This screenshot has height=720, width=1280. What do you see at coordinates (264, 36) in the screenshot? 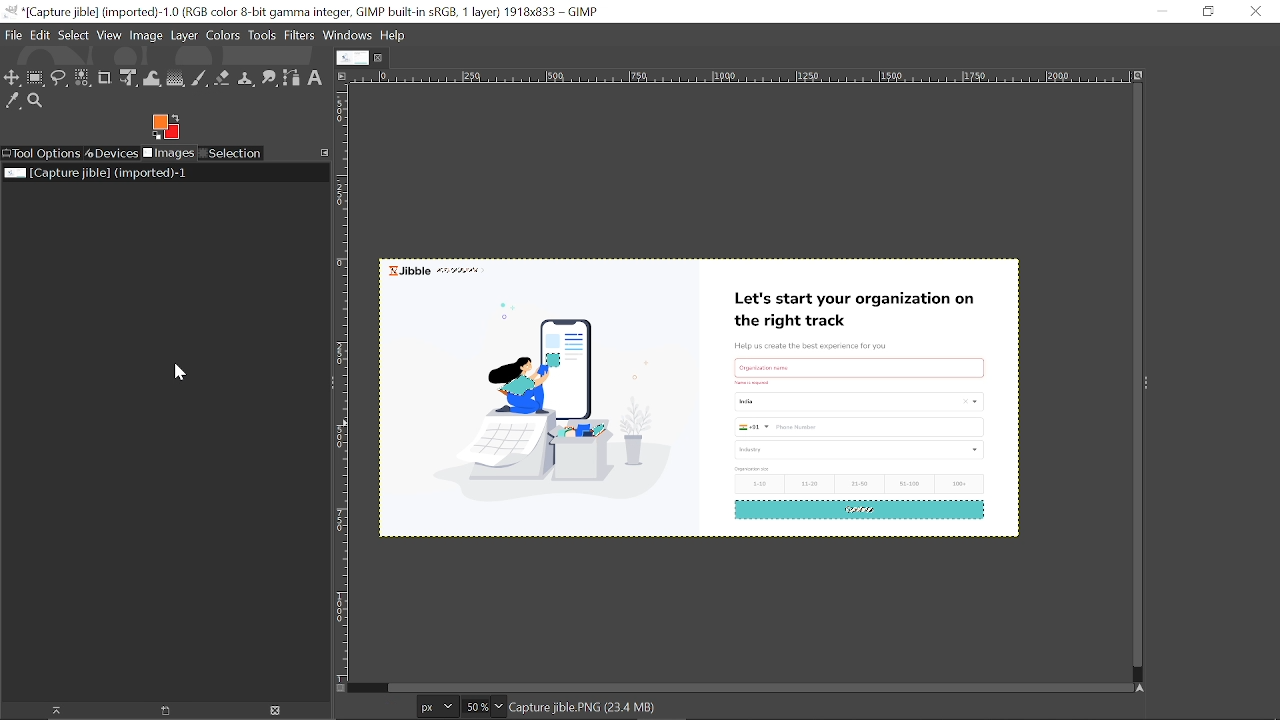
I see `` at bounding box center [264, 36].